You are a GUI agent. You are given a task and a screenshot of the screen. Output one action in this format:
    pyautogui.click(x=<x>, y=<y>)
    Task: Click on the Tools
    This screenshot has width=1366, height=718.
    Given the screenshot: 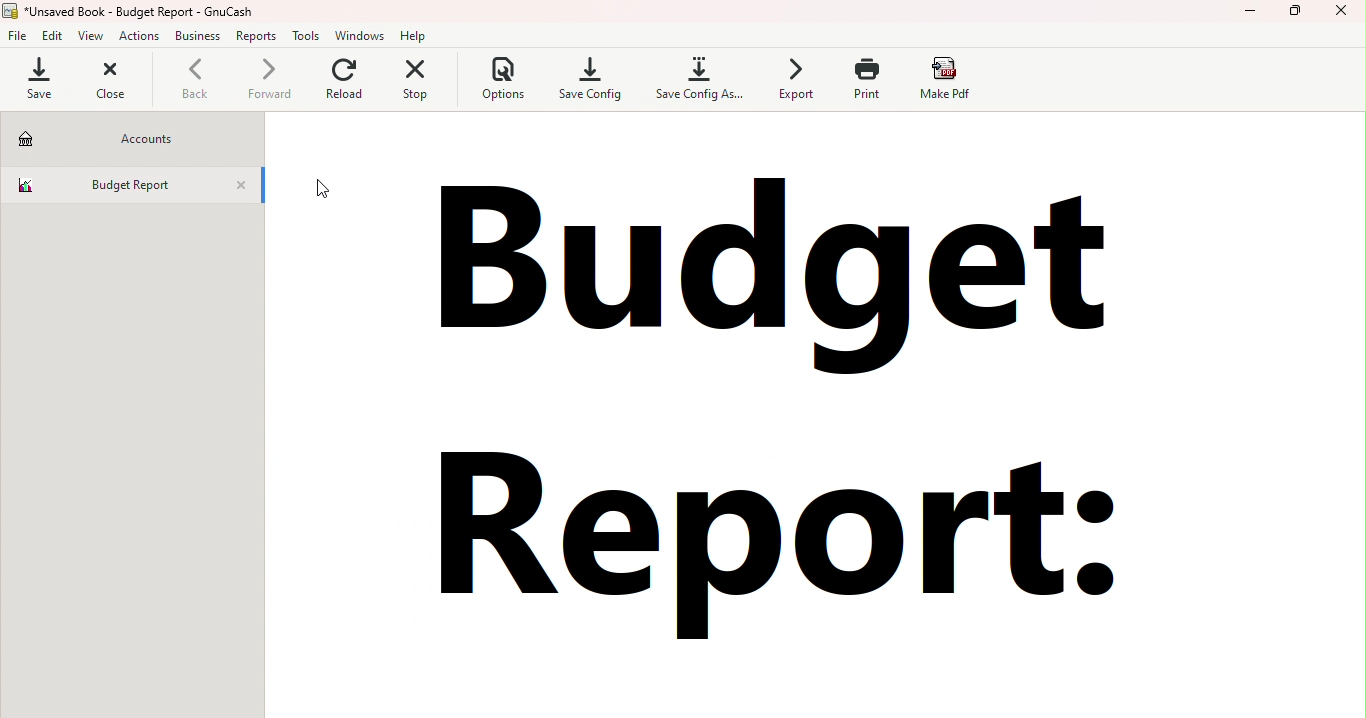 What is the action you would take?
    pyautogui.click(x=308, y=36)
    